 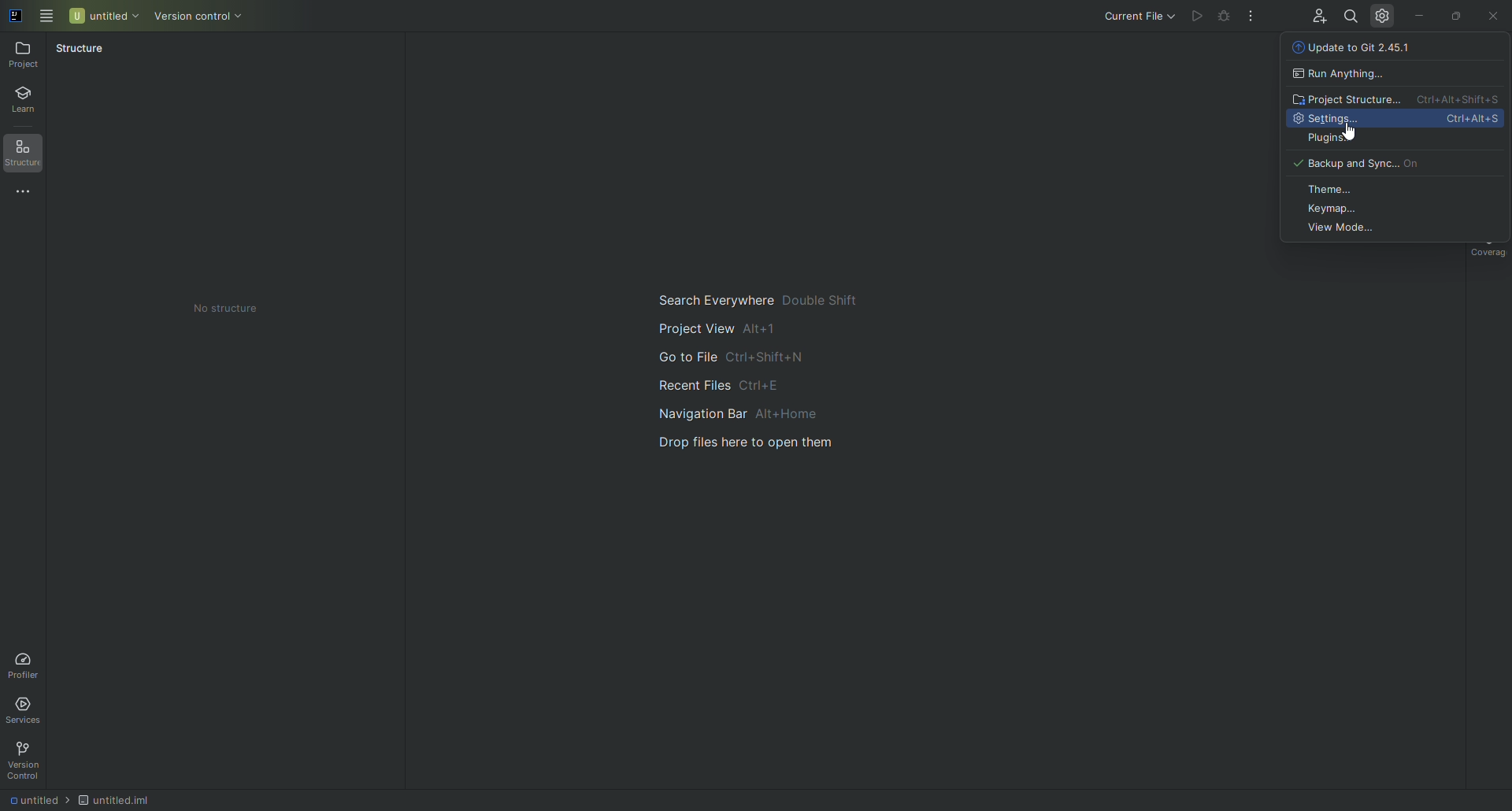 What do you see at coordinates (107, 17) in the screenshot?
I see `Untitled` at bounding box center [107, 17].